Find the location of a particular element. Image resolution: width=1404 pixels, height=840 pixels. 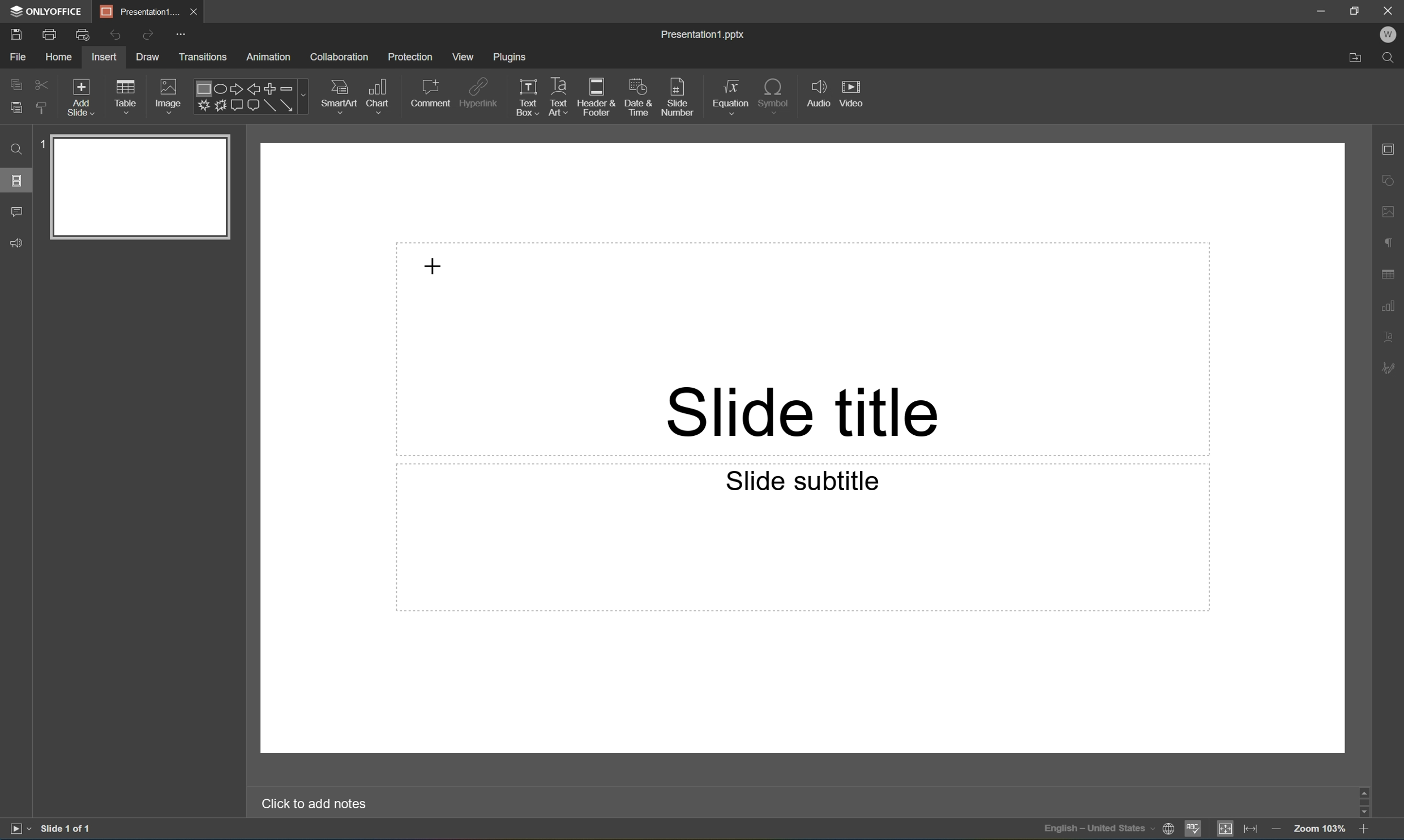

1 is located at coordinates (43, 144).